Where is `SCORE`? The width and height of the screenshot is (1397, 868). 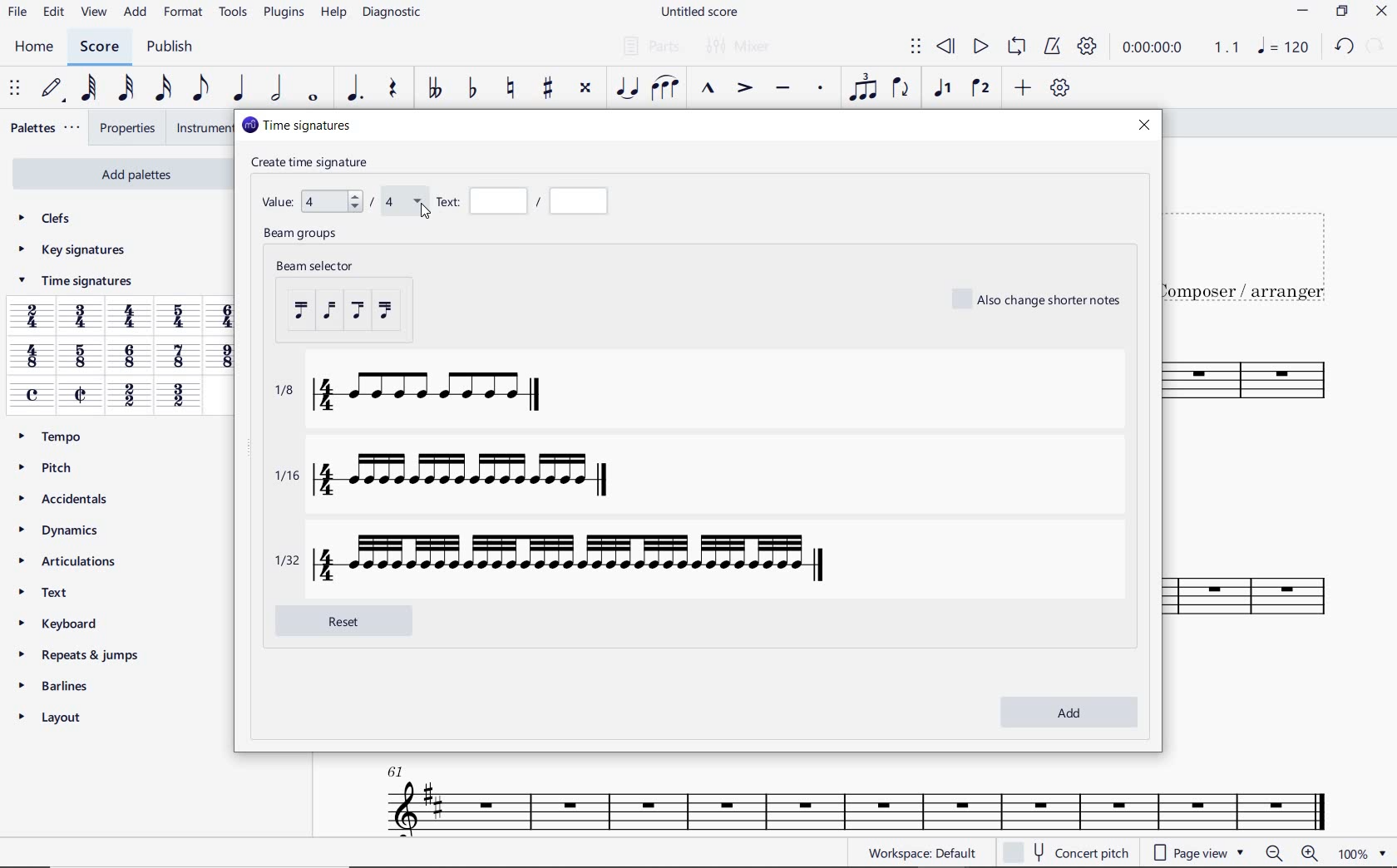
SCORE is located at coordinates (99, 47).